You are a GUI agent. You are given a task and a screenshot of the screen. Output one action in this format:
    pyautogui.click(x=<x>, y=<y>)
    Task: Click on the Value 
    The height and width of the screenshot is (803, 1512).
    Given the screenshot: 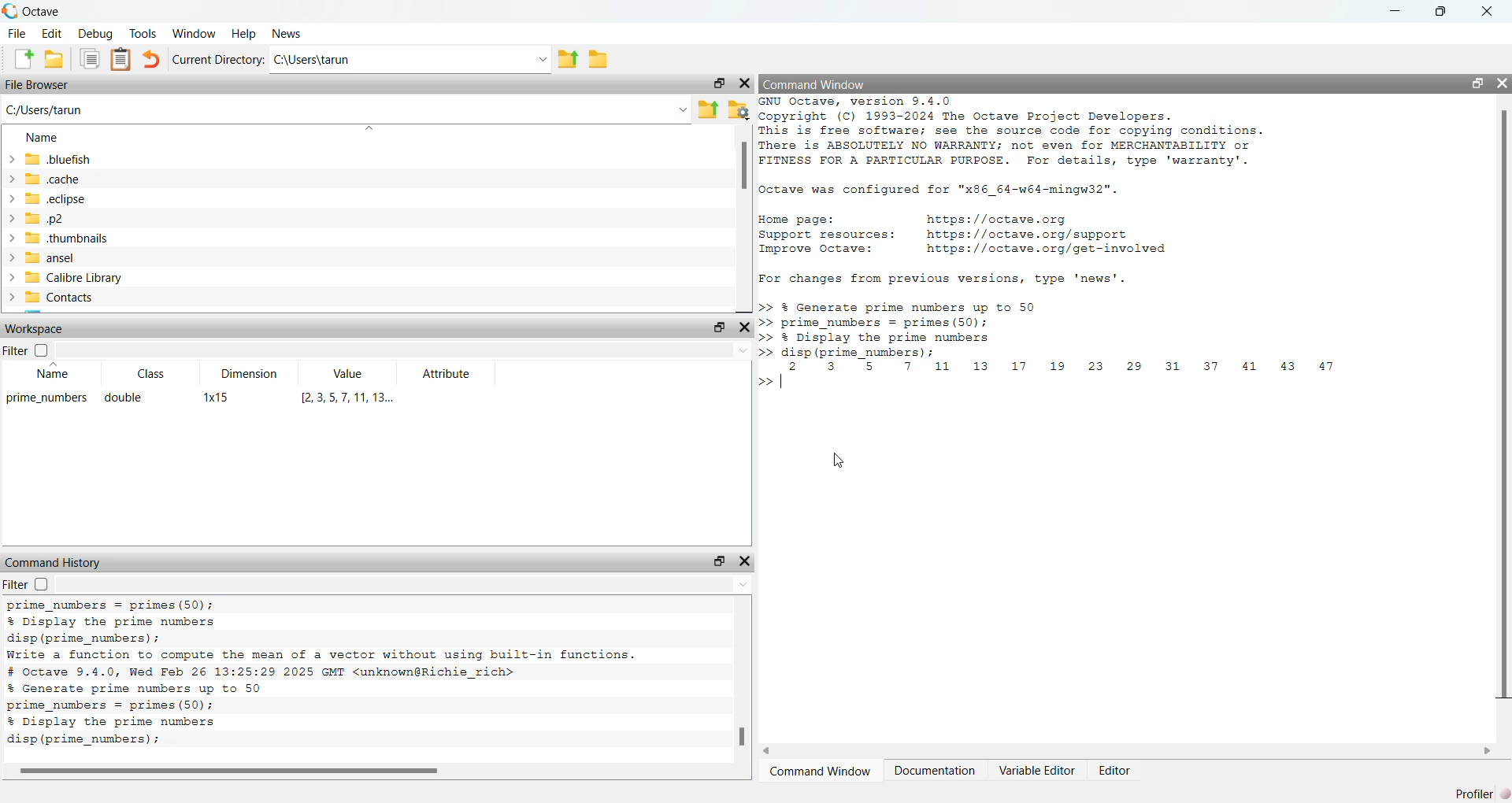 What is the action you would take?
    pyautogui.click(x=349, y=373)
    